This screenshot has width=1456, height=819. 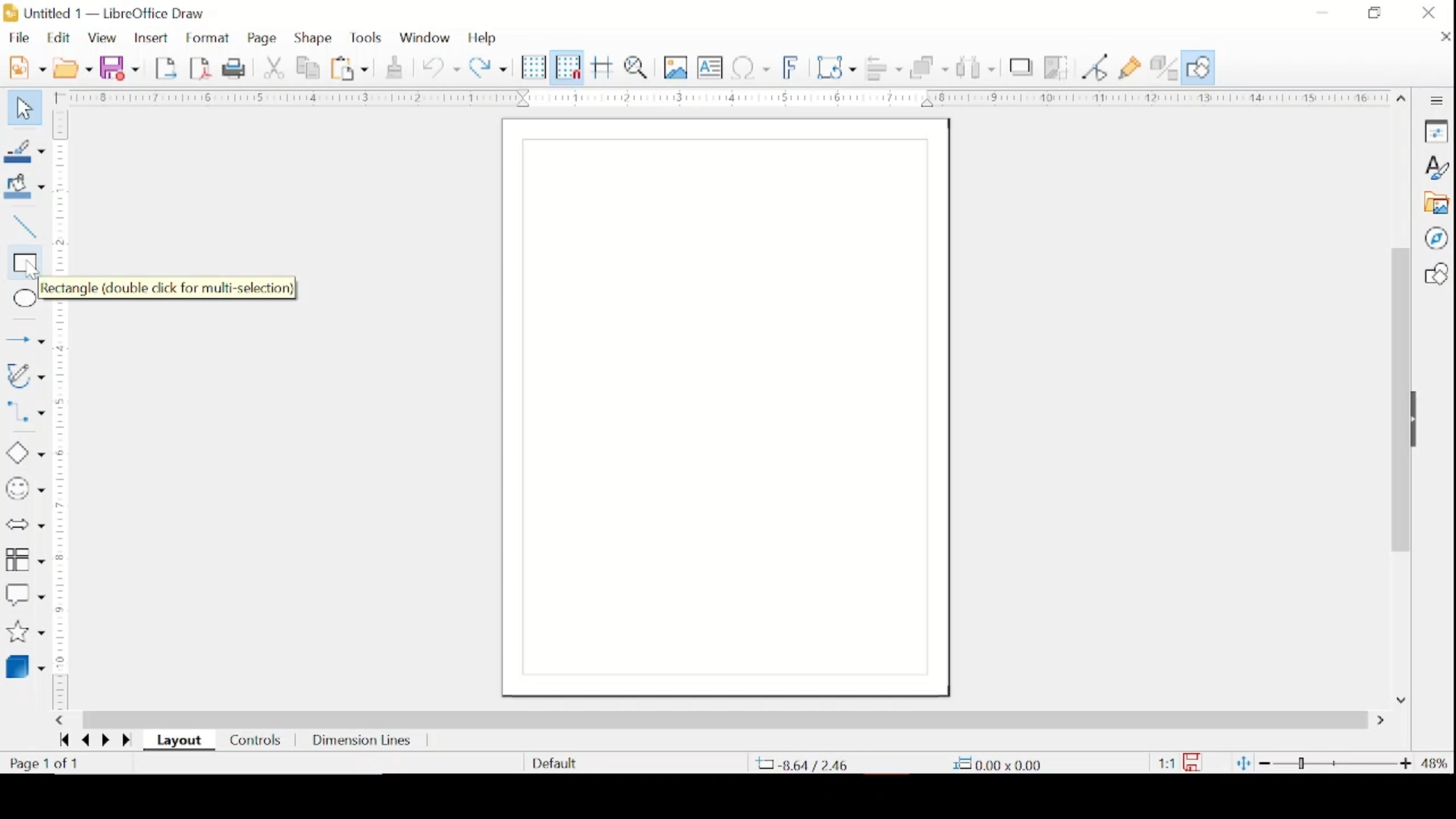 What do you see at coordinates (1420, 420) in the screenshot?
I see `drag handle` at bounding box center [1420, 420].